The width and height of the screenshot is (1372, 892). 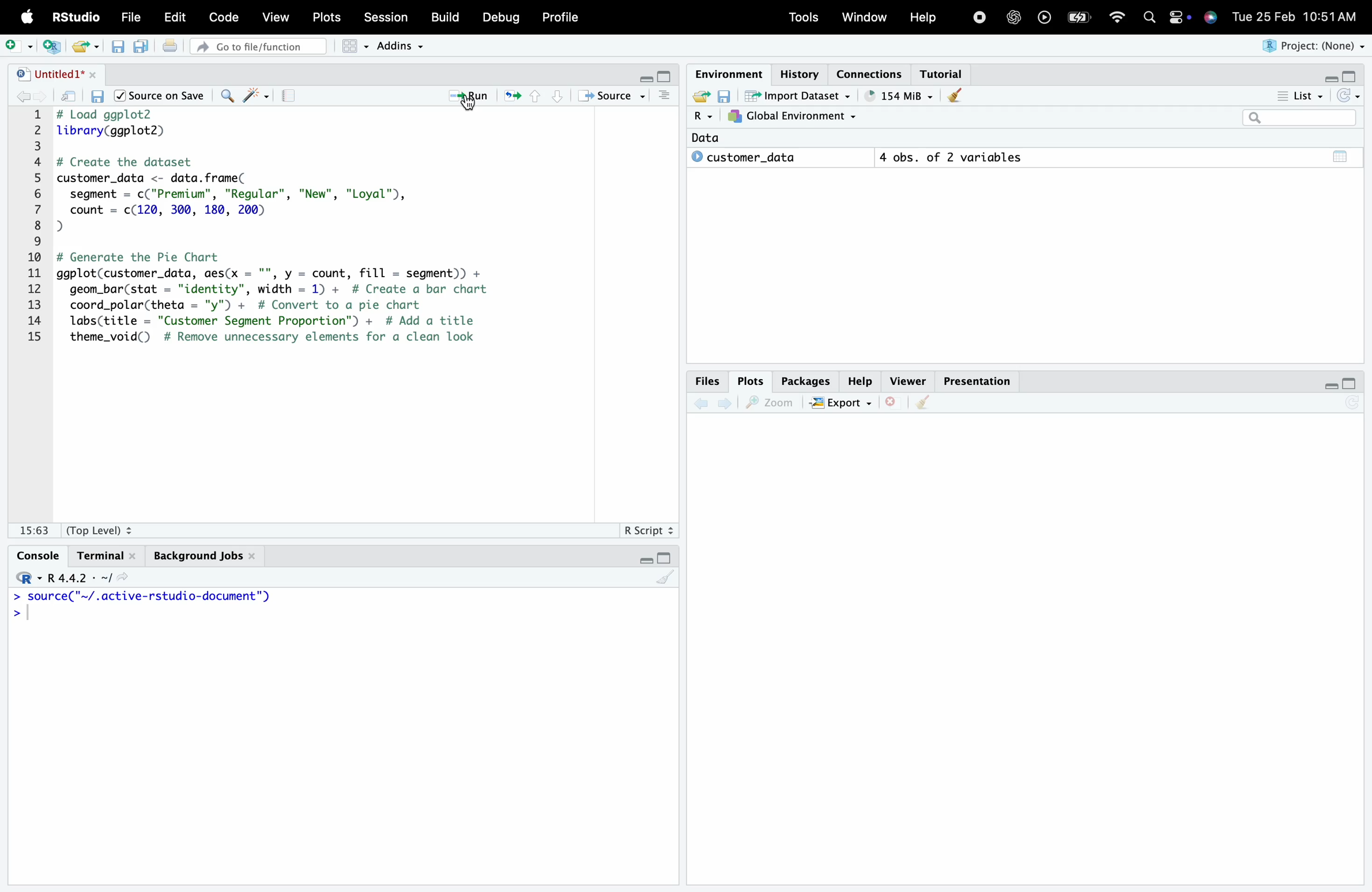 What do you see at coordinates (99, 99) in the screenshot?
I see `save script` at bounding box center [99, 99].